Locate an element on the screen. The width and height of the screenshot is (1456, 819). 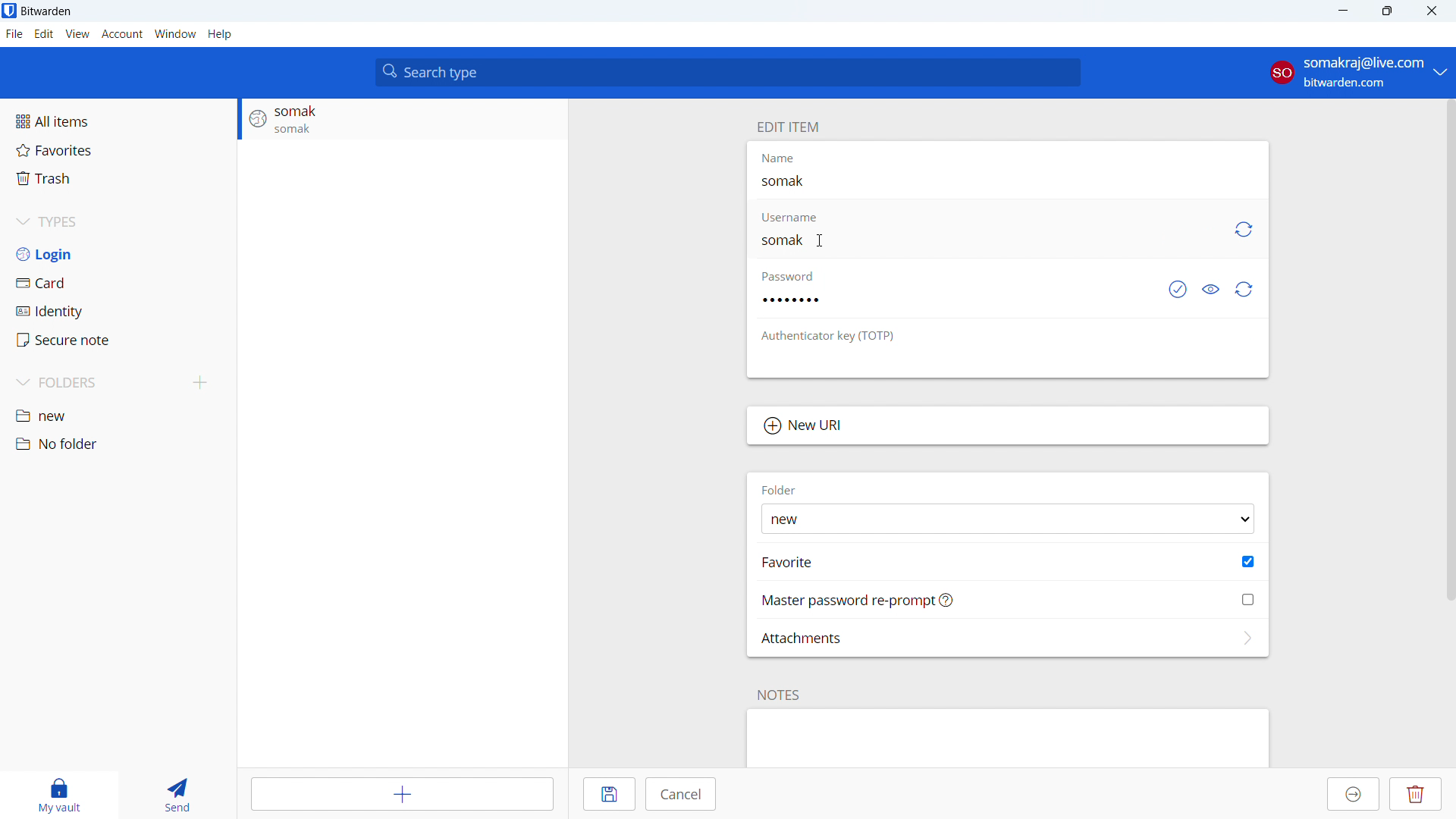
window is located at coordinates (175, 33).